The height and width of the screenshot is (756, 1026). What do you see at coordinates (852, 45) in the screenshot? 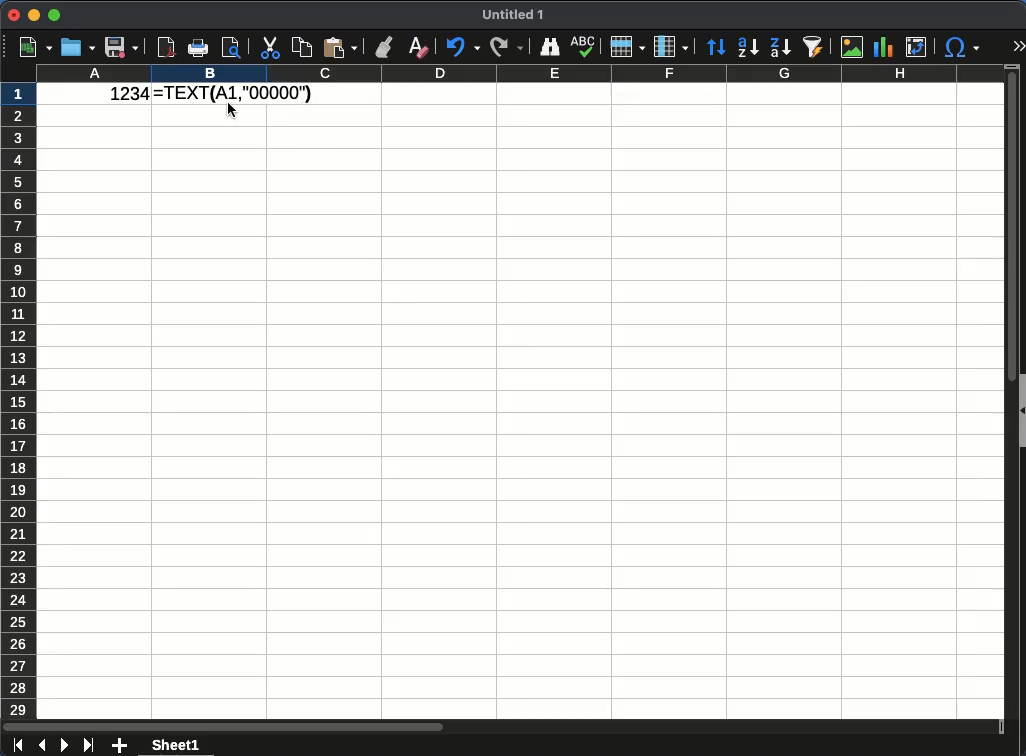
I see `image` at bounding box center [852, 45].